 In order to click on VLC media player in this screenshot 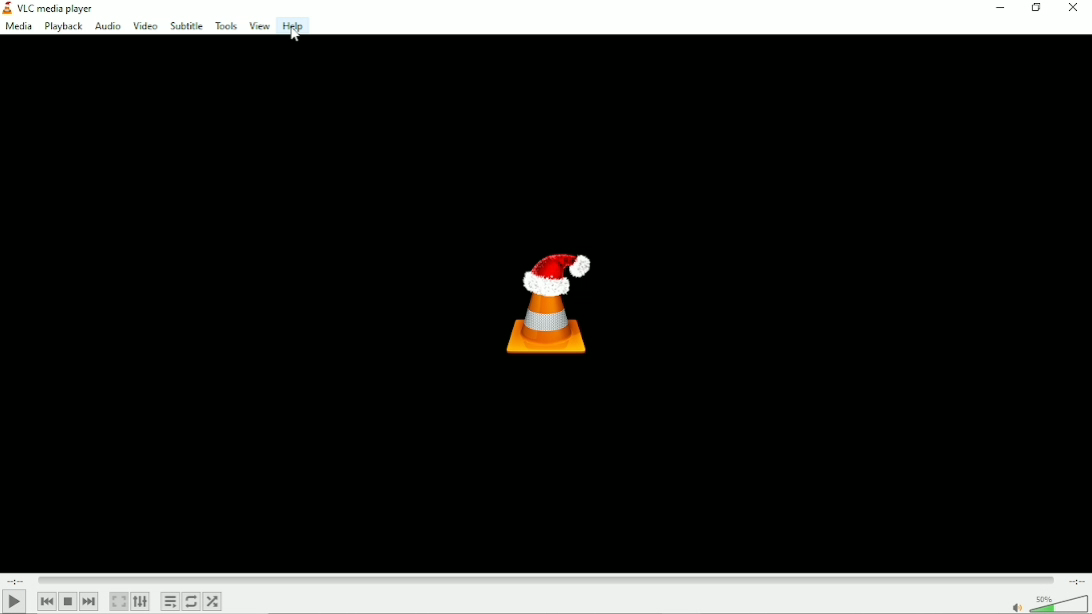, I will do `click(59, 9)`.